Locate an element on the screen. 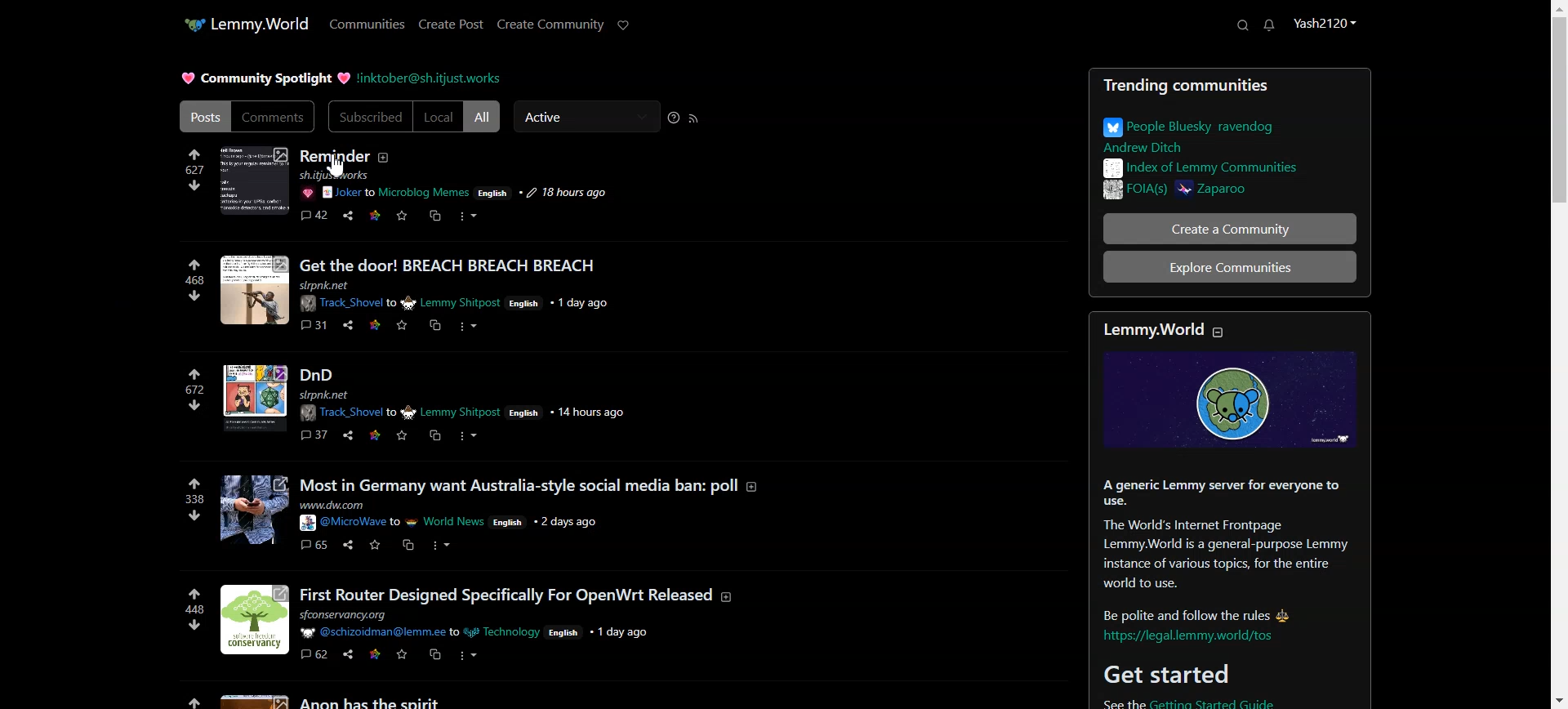 This screenshot has height=709, width=1568. 18 hours ago is located at coordinates (560, 192).